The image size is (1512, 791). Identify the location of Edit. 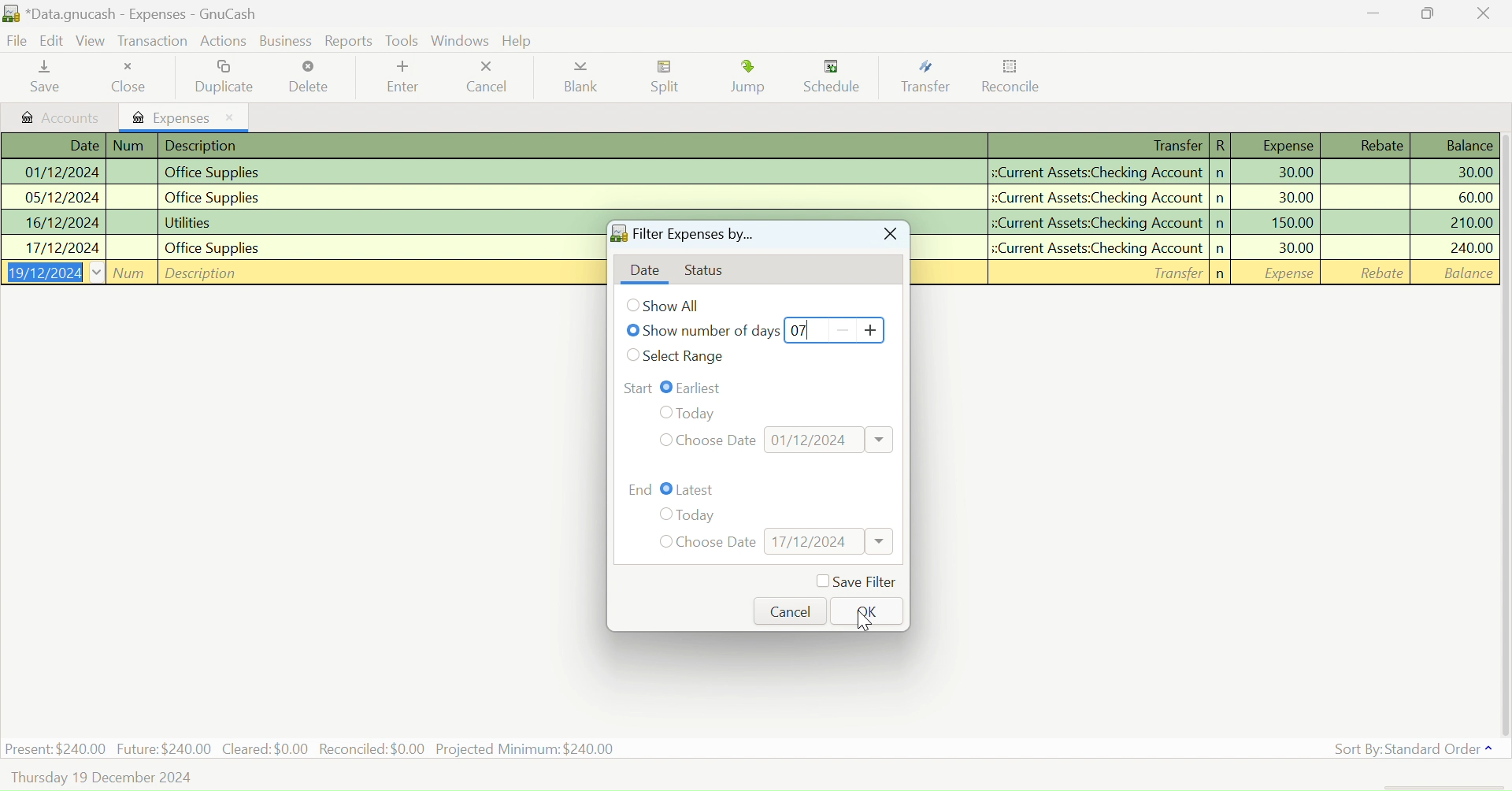
(53, 42).